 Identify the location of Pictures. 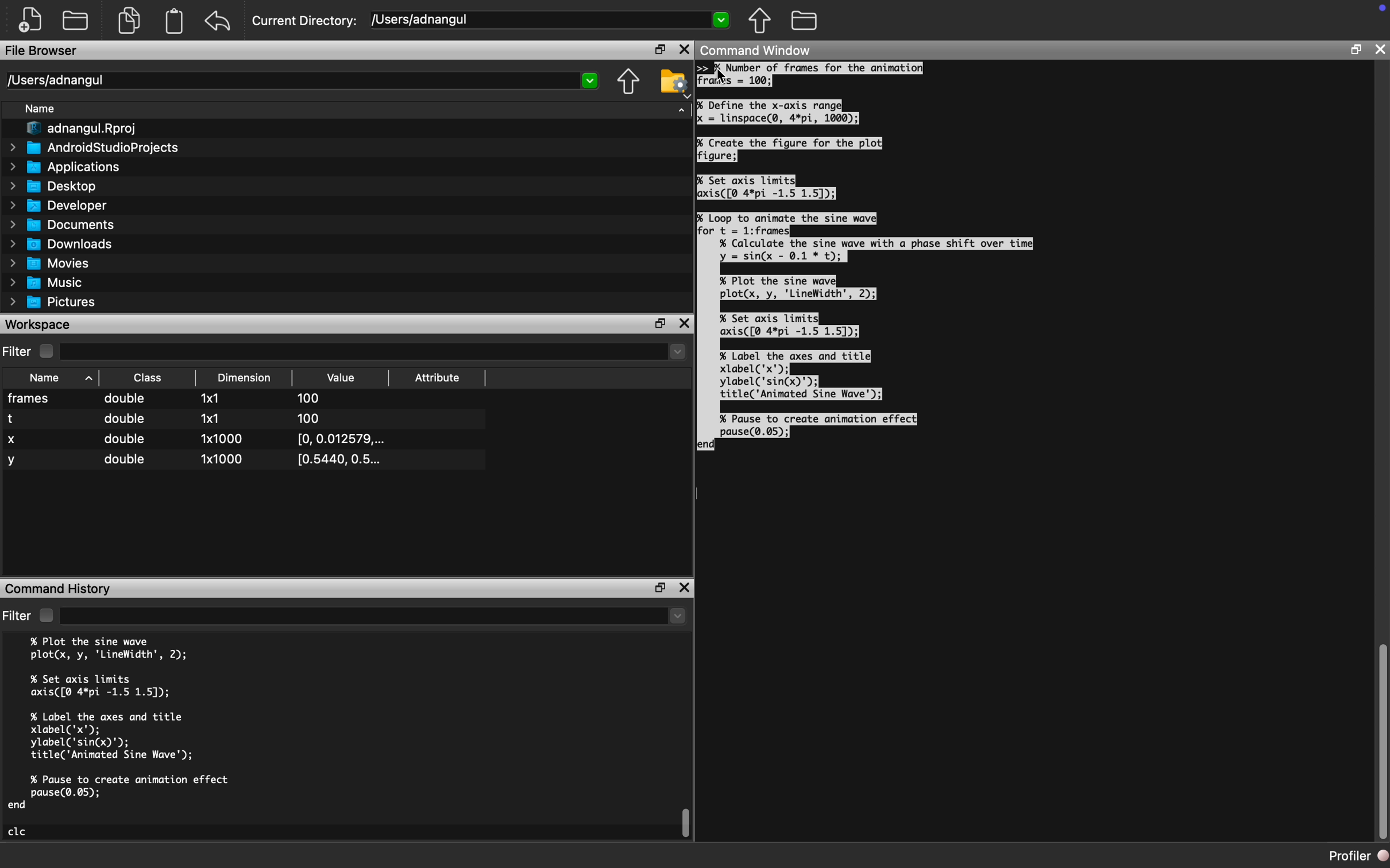
(53, 301).